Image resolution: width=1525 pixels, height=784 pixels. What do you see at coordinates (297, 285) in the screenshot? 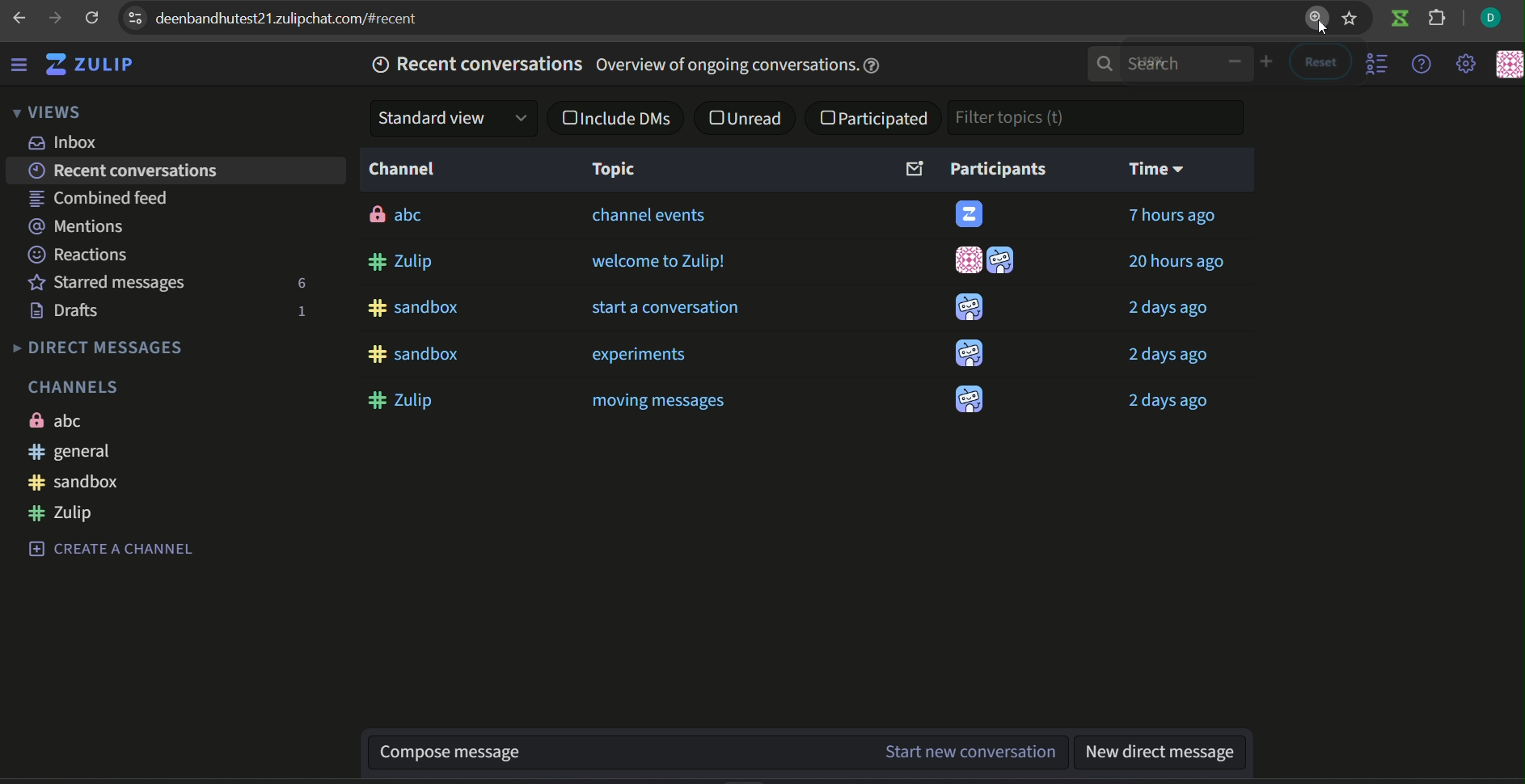
I see `number` at bounding box center [297, 285].